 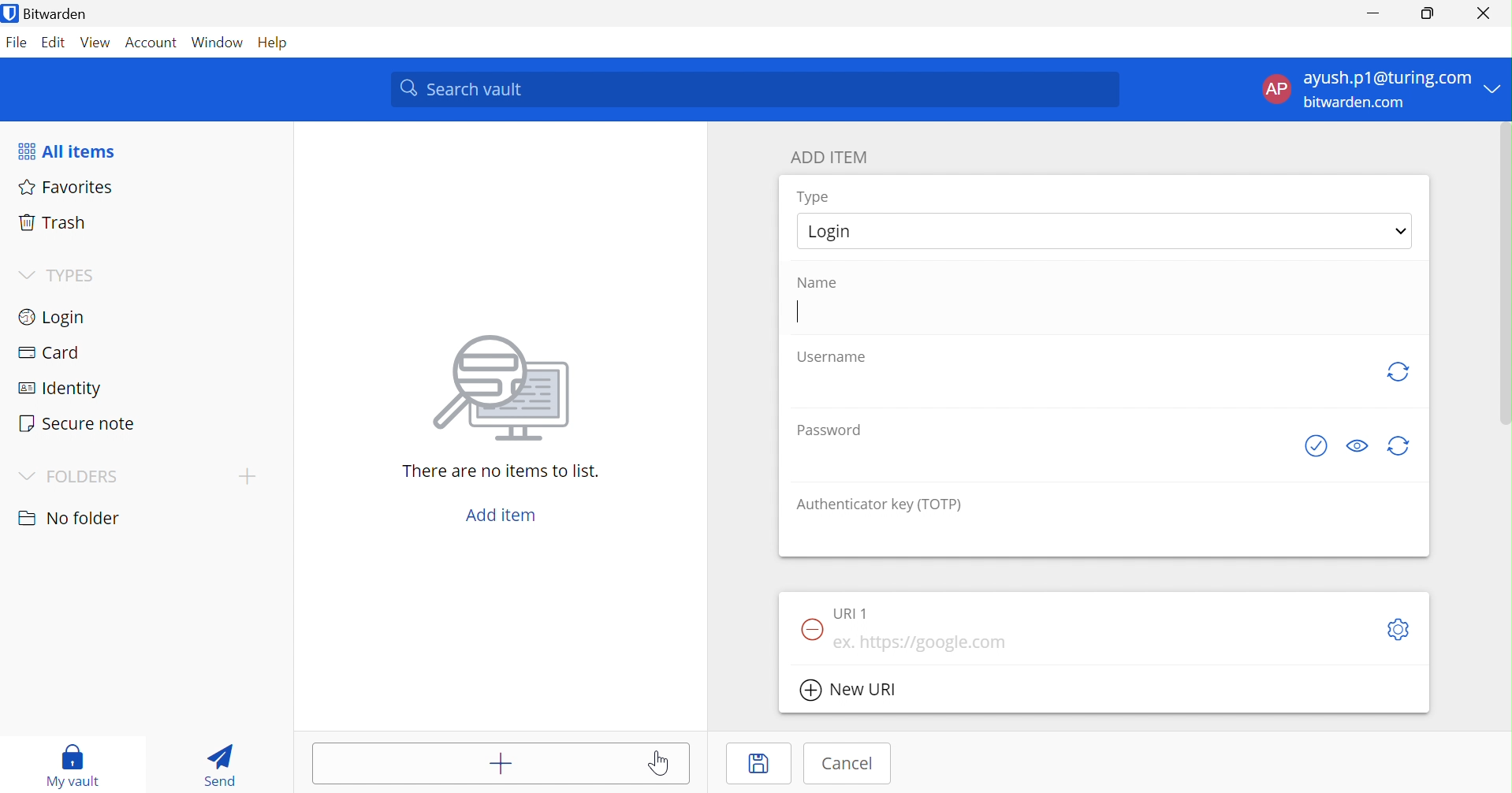 What do you see at coordinates (754, 90) in the screenshot?
I see `Search vault` at bounding box center [754, 90].